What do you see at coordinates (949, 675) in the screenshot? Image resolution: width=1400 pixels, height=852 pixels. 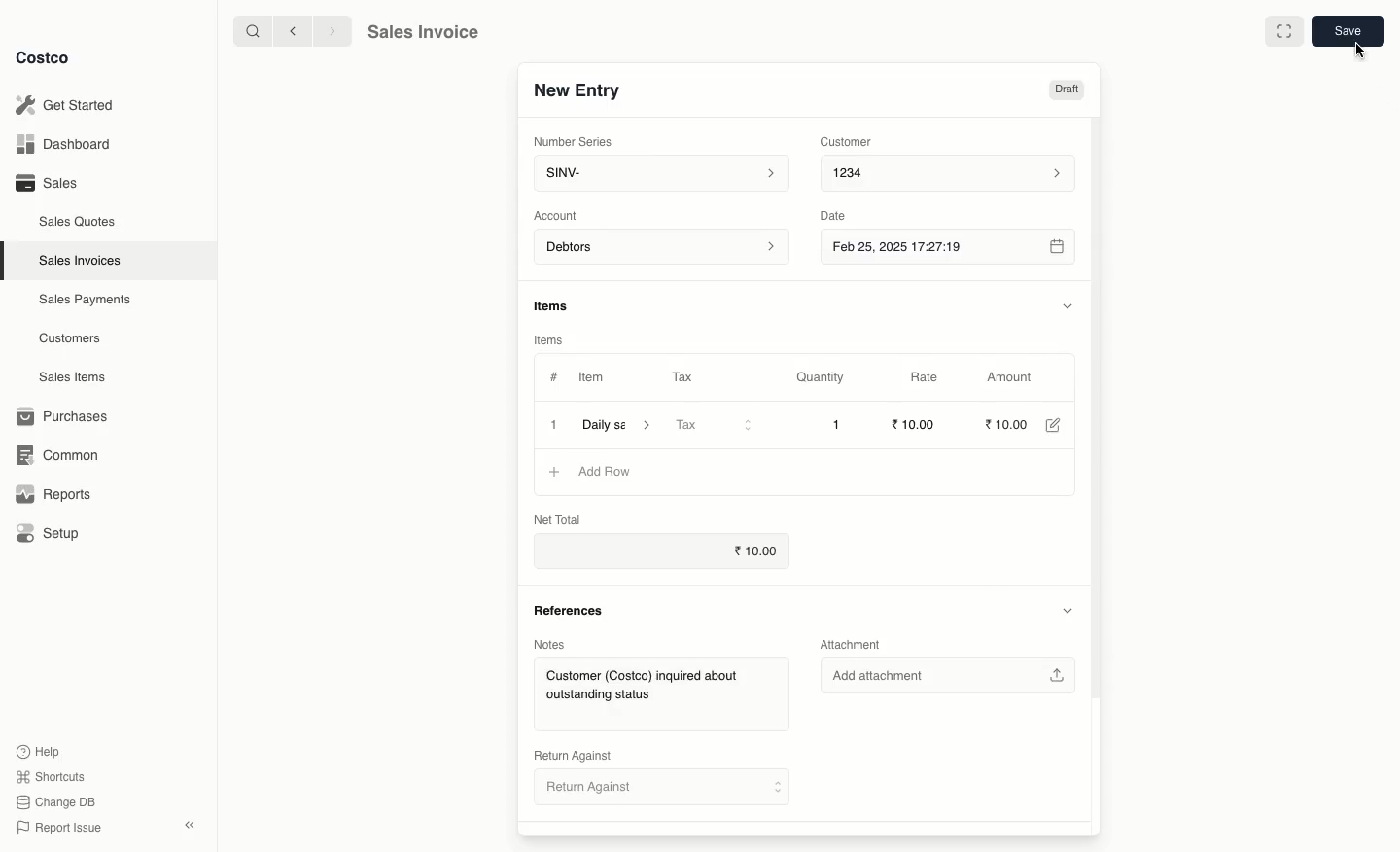 I see `Add attachment` at bounding box center [949, 675].